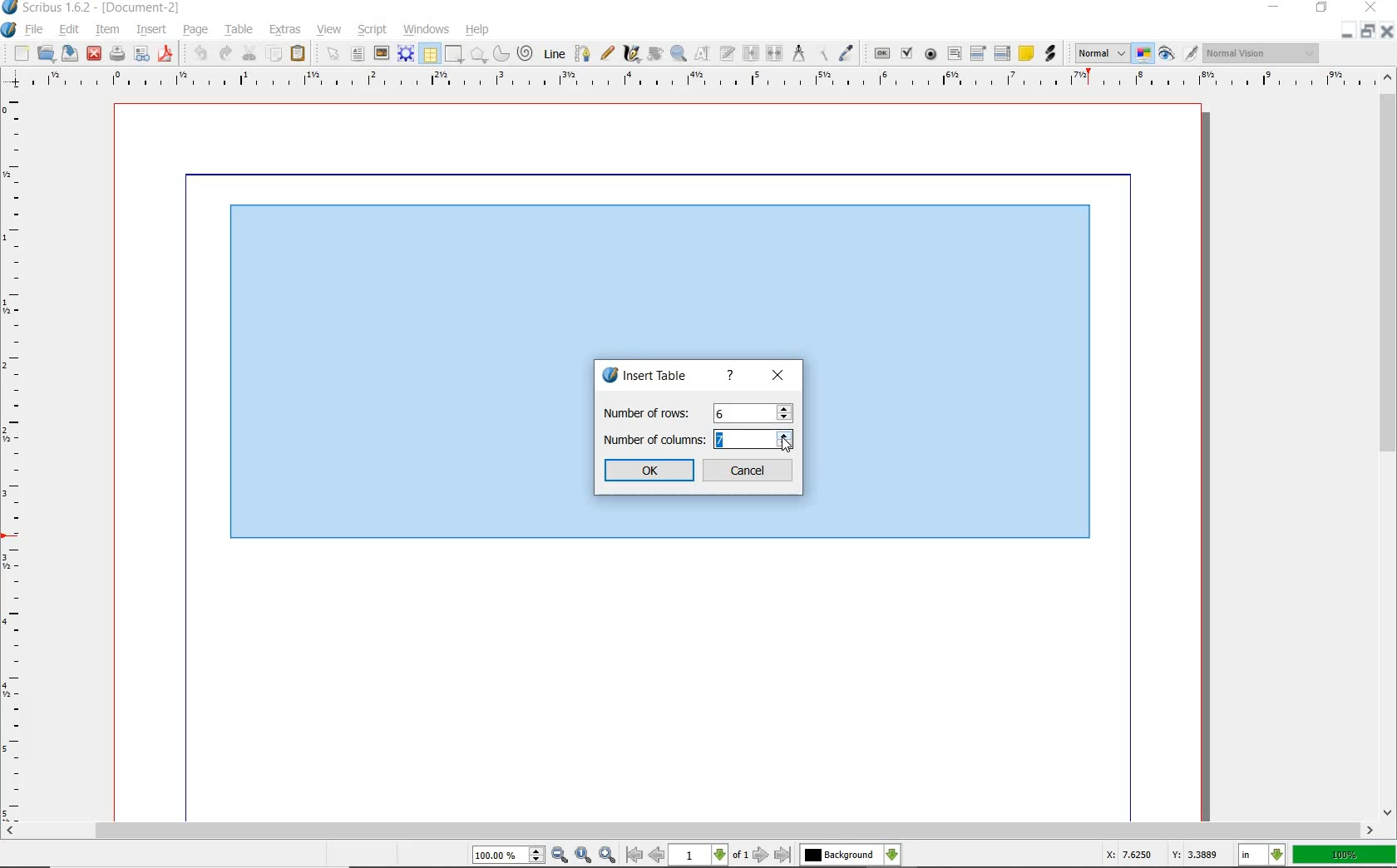 Image resolution: width=1397 pixels, height=868 pixels. What do you see at coordinates (630, 55) in the screenshot?
I see `calligraphic line` at bounding box center [630, 55].